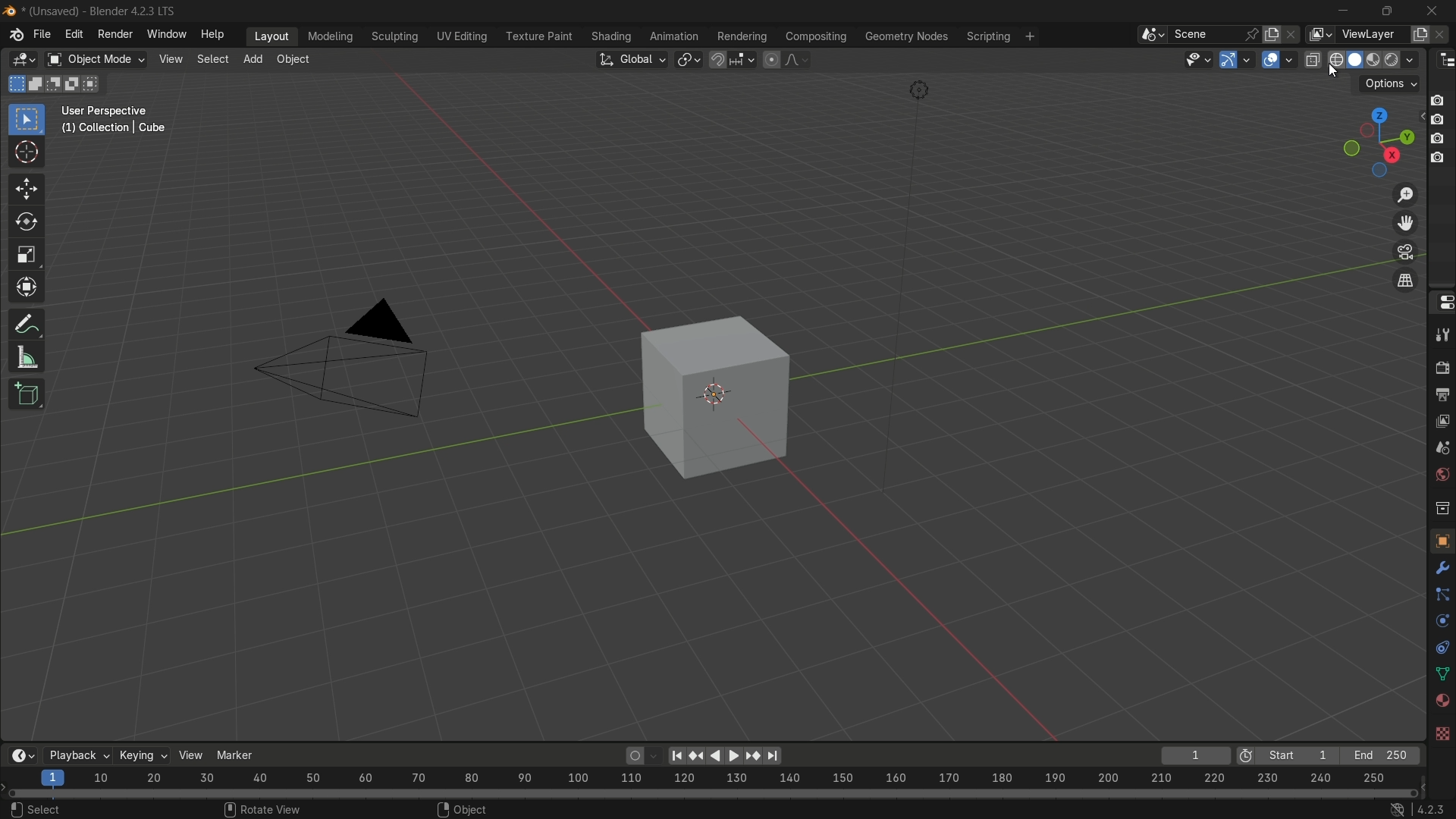 The image size is (1456, 819). Describe the element at coordinates (166, 33) in the screenshot. I see `window menu` at that location.